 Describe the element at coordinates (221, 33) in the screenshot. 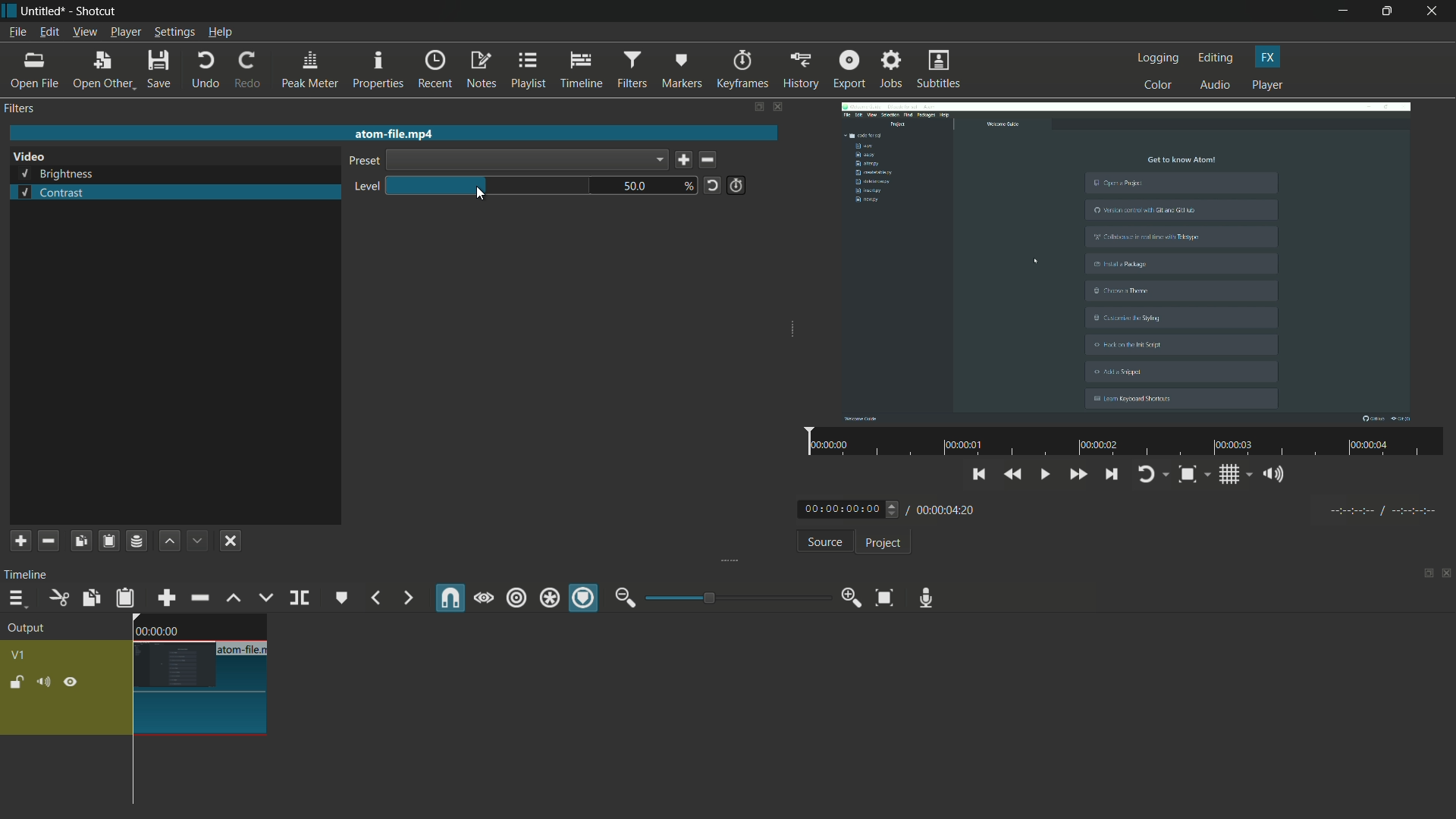

I see `help menu` at that location.